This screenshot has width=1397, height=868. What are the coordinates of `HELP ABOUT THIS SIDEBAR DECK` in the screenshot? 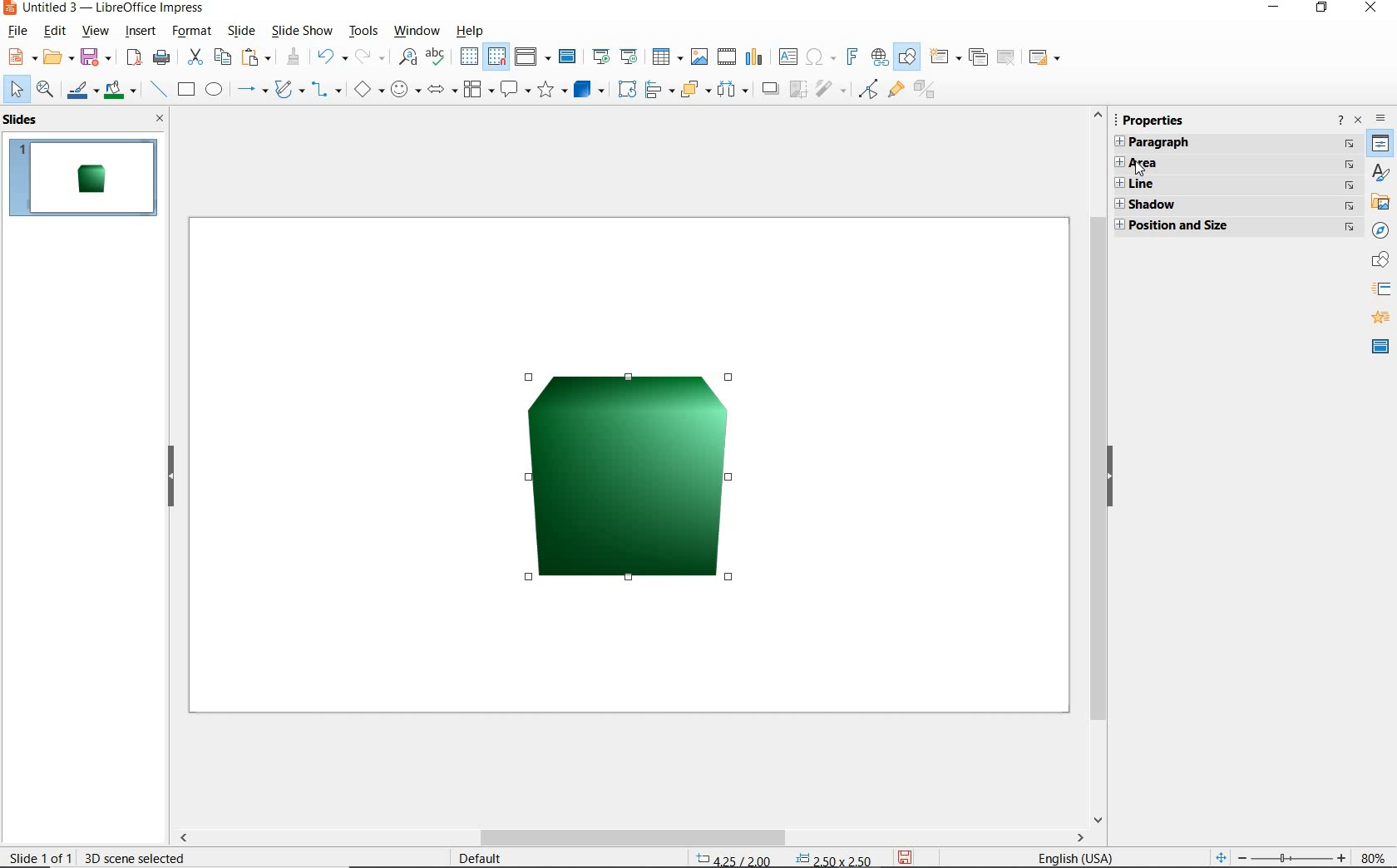 It's located at (1341, 121).